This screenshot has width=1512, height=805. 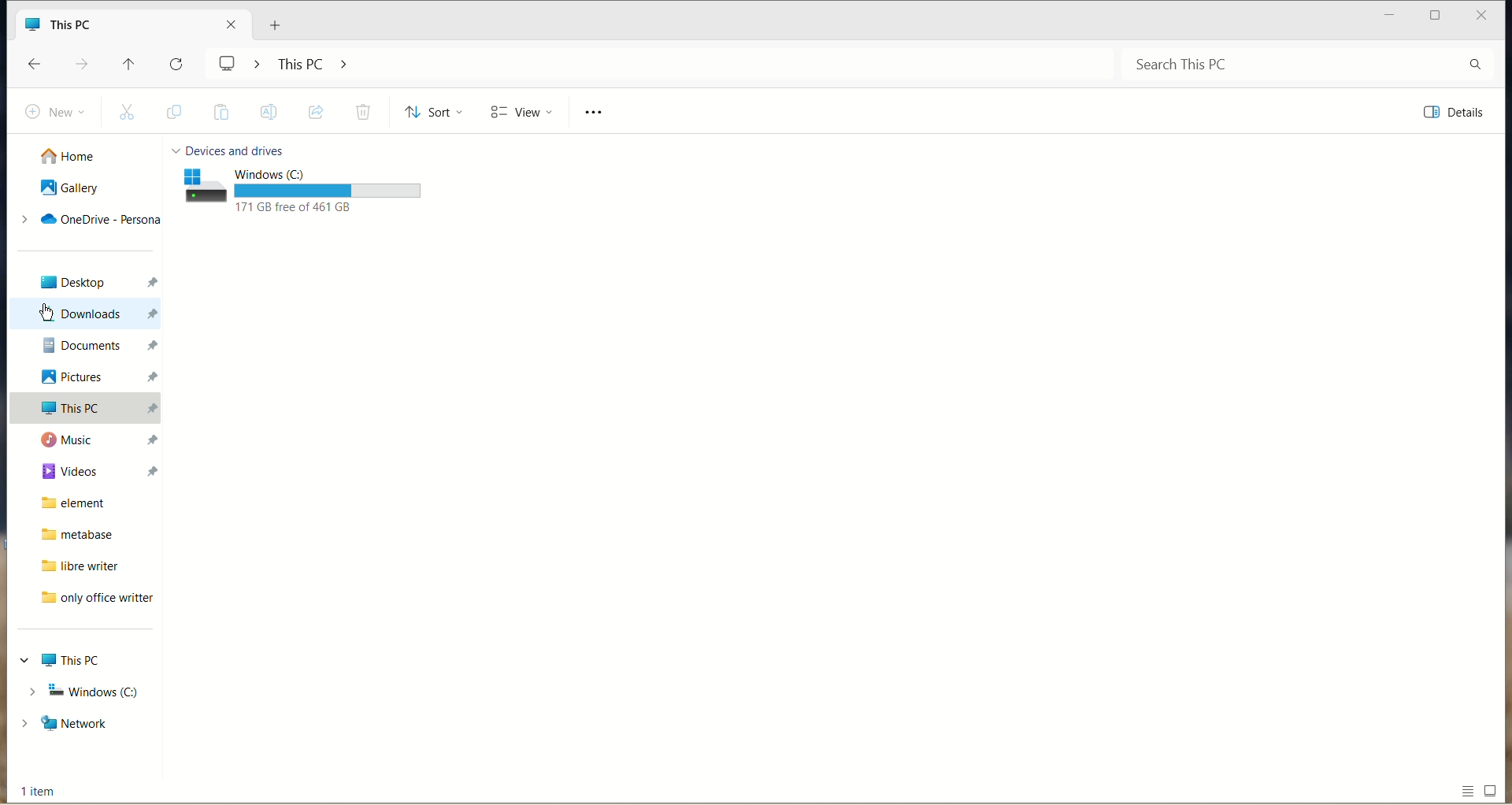 What do you see at coordinates (132, 69) in the screenshot?
I see `up one ` at bounding box center [132, 69].